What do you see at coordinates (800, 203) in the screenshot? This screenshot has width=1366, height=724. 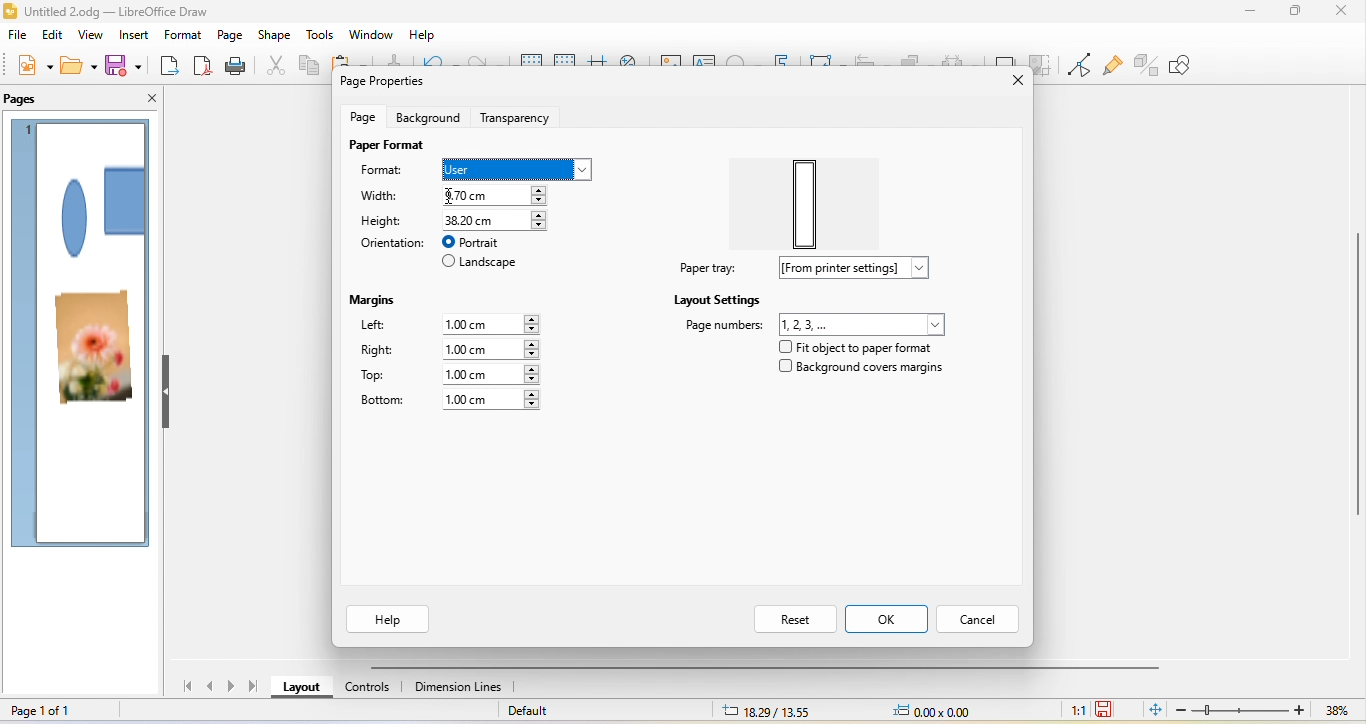 I see `paper` at bounding box center [800, 203].